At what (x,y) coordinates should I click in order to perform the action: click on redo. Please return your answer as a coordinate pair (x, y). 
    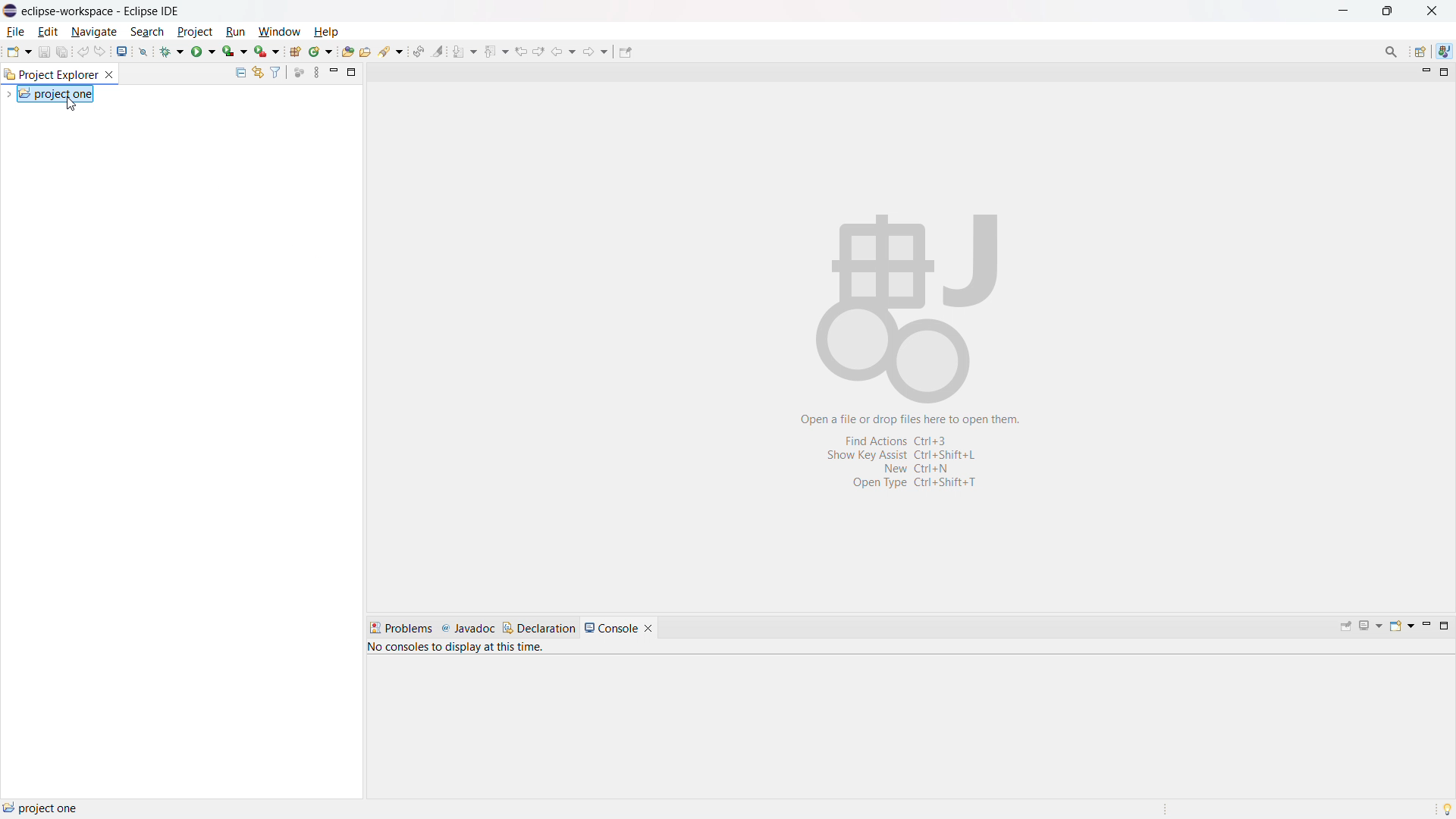
    Looking at the image, I should click on (101, 51).